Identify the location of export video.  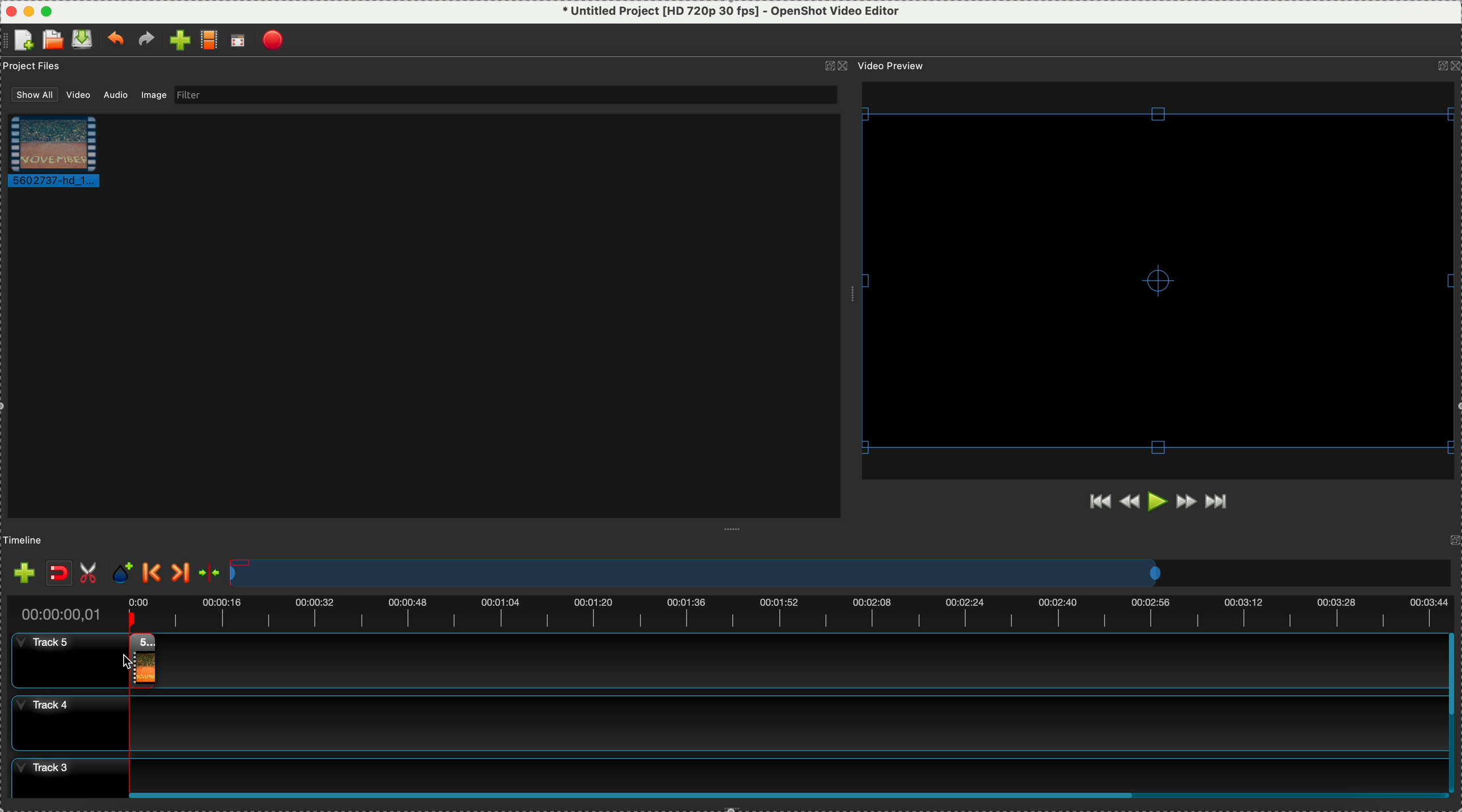
(275, 40).